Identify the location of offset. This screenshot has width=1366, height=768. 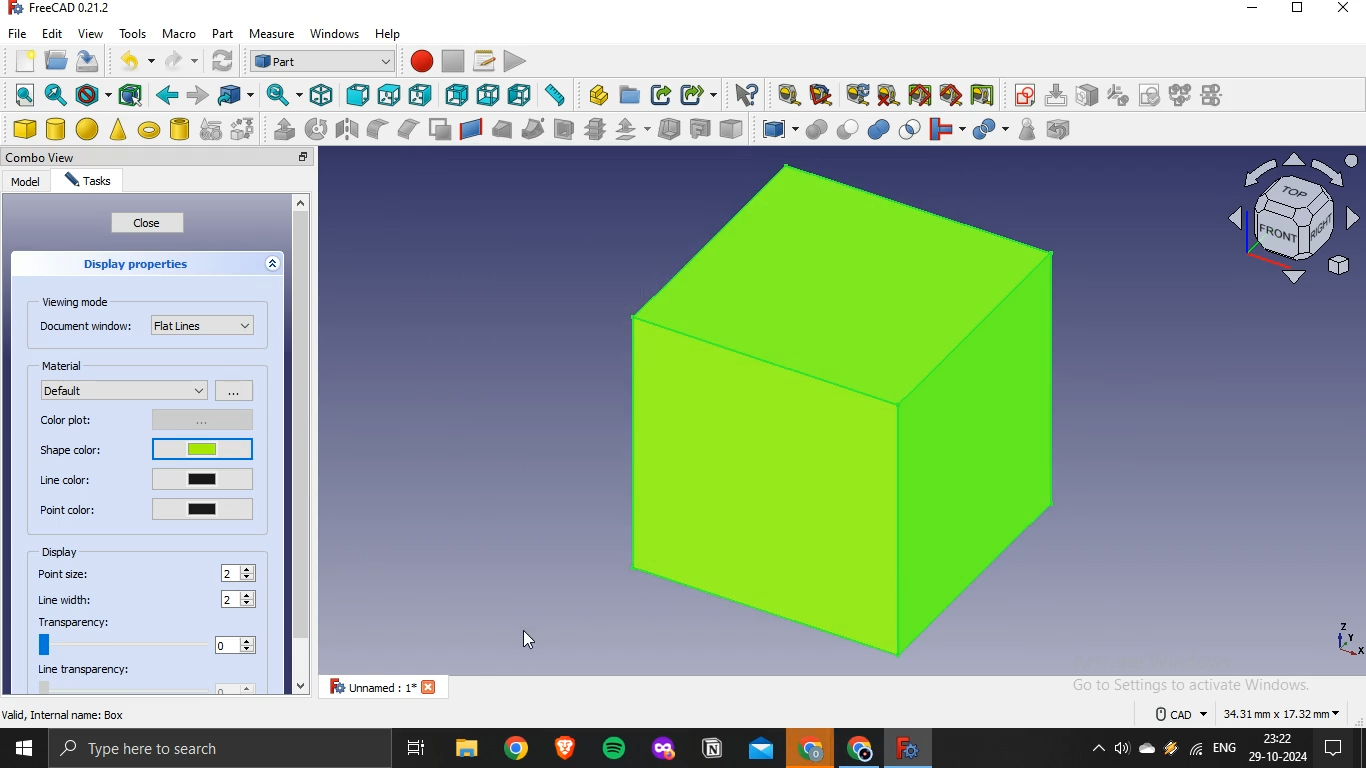
(631, 129).